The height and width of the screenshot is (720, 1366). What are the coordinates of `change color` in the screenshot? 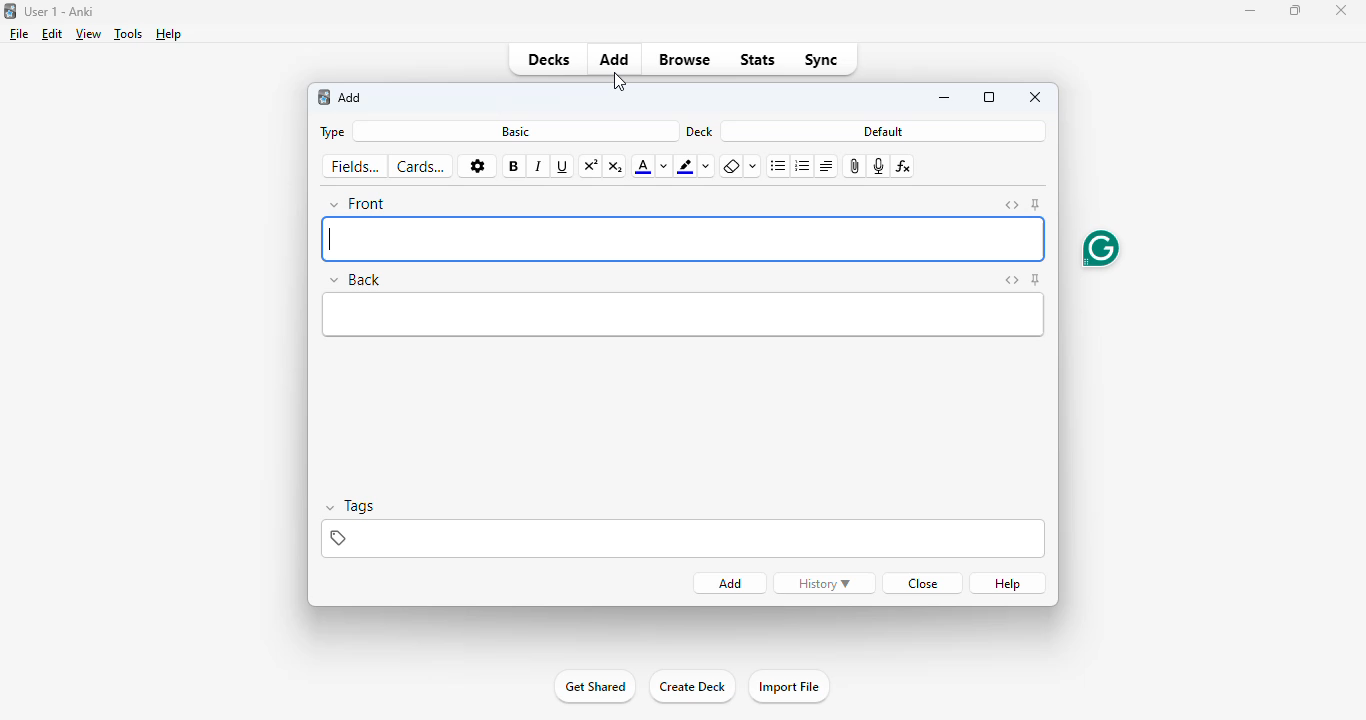 It's located at (664, 166).